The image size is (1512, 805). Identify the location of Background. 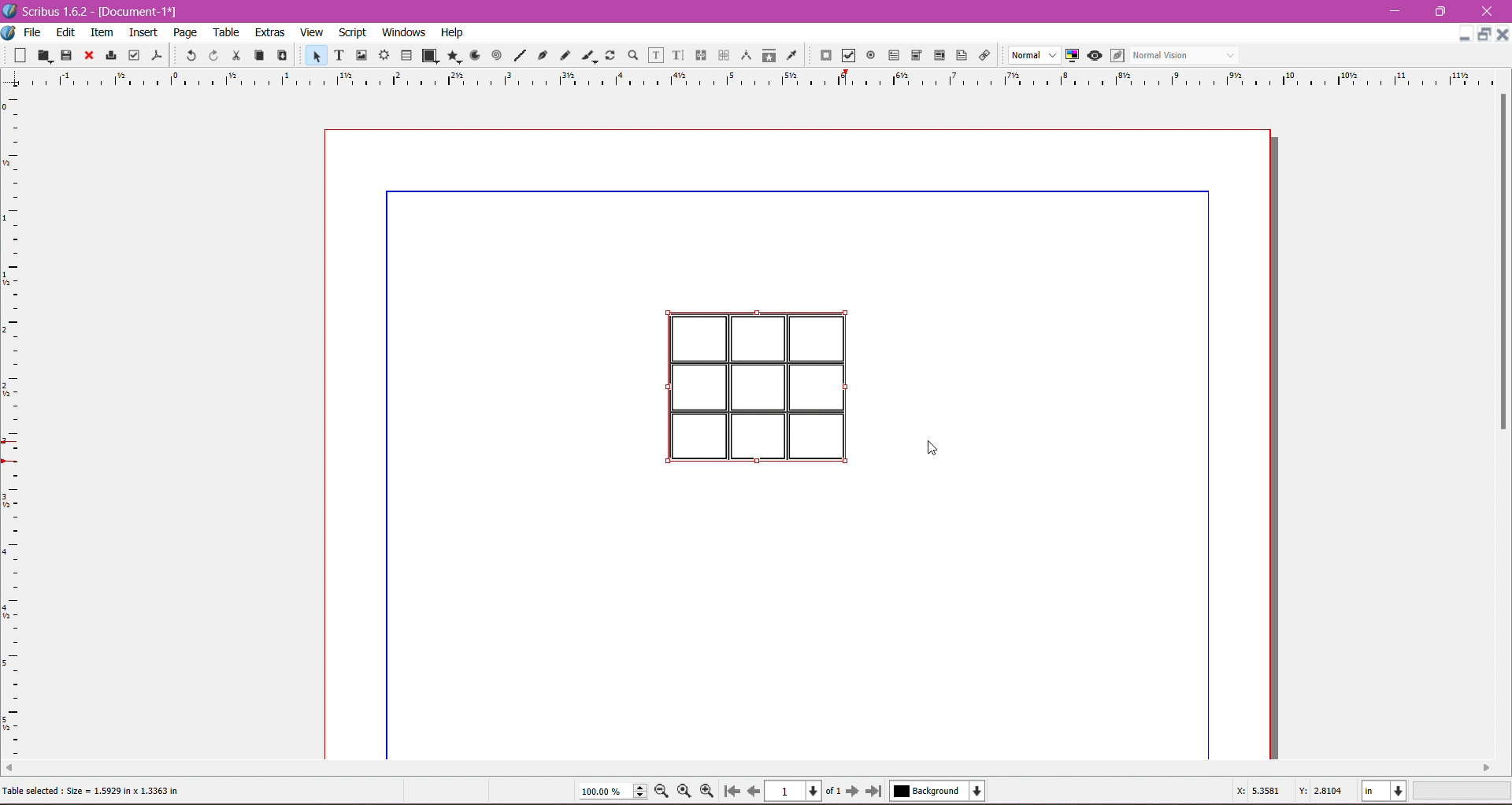
(941, 791).